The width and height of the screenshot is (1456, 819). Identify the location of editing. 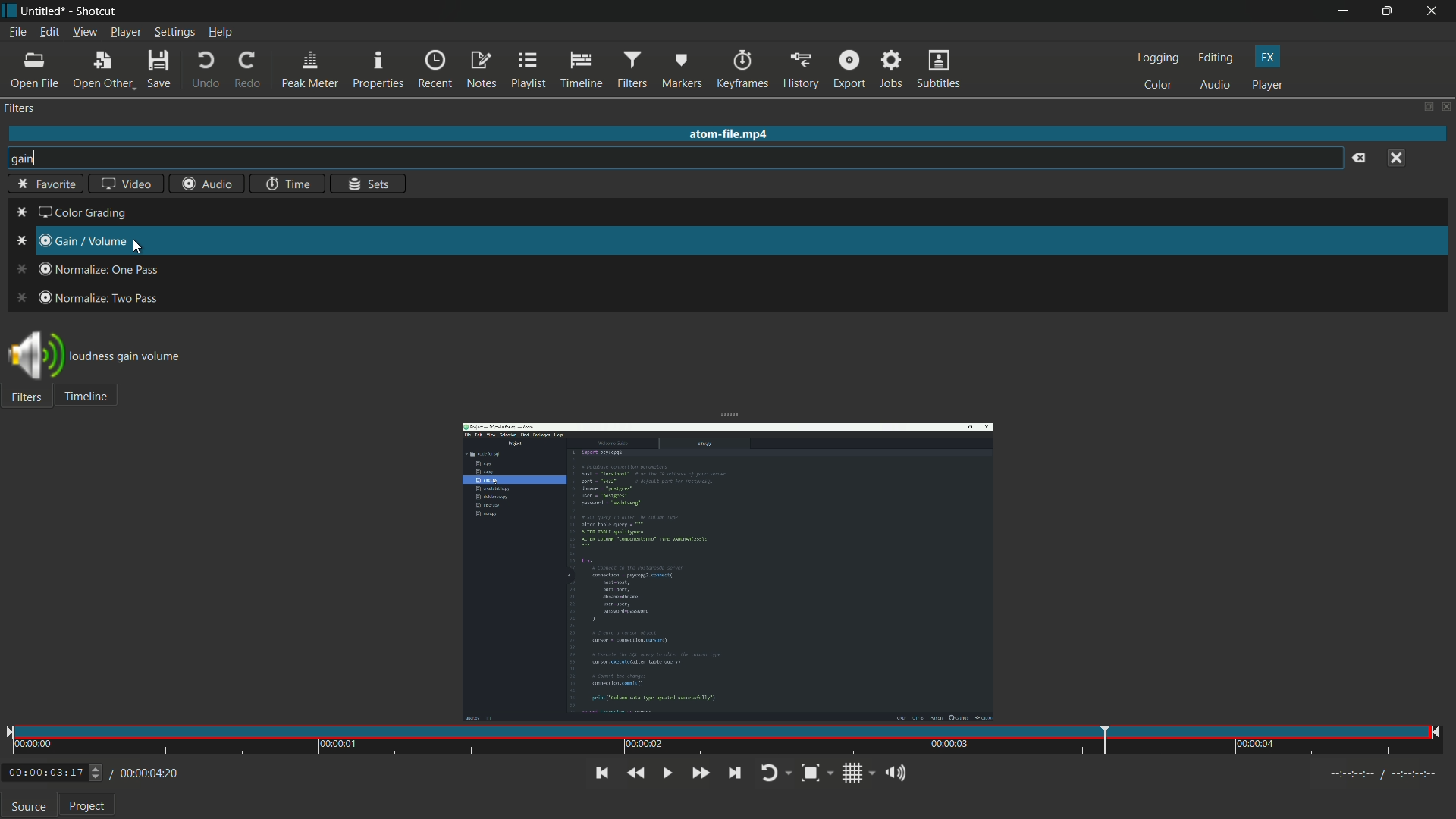
(1216, 58).